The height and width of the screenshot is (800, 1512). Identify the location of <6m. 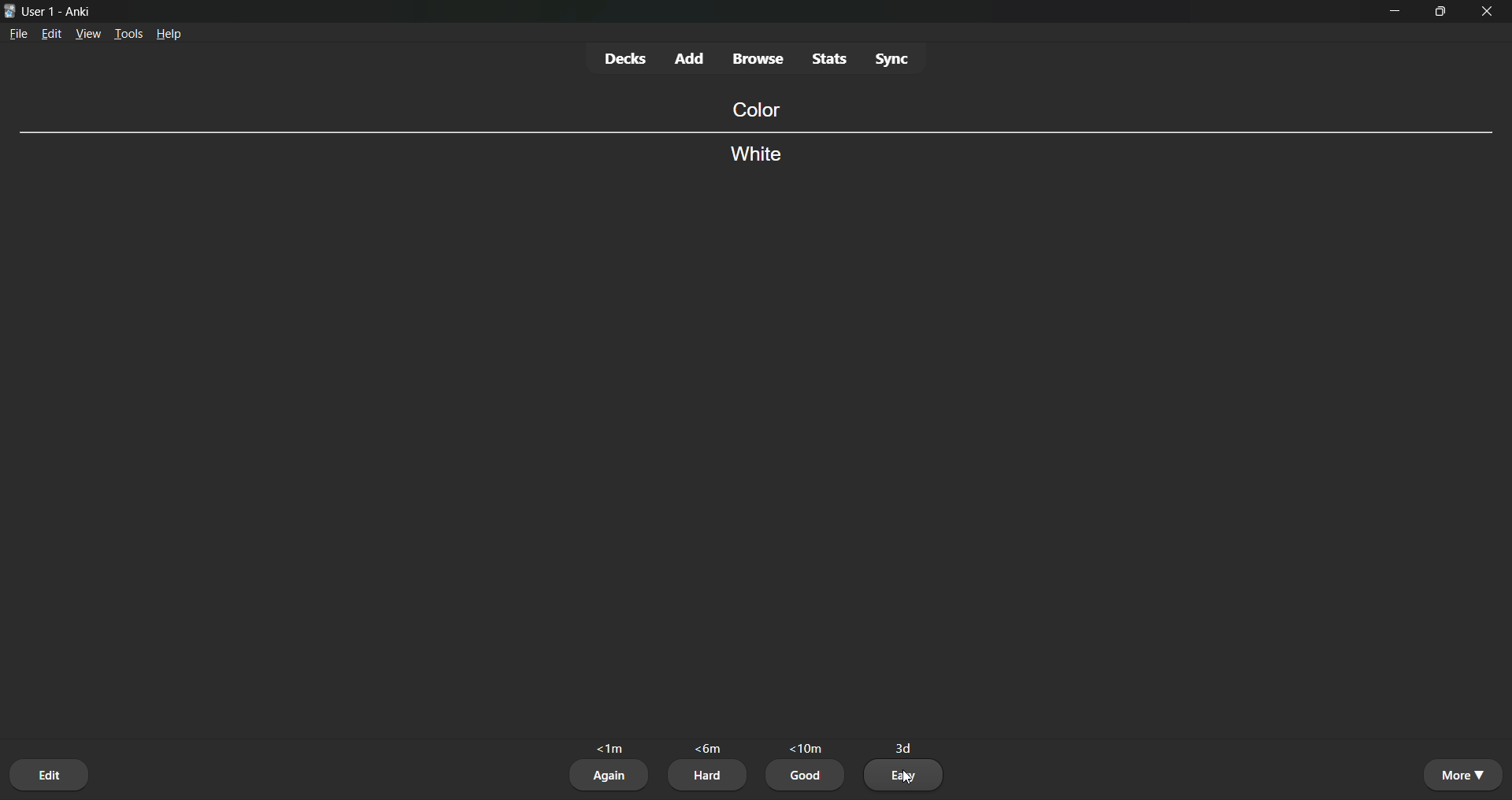
(710, 749).